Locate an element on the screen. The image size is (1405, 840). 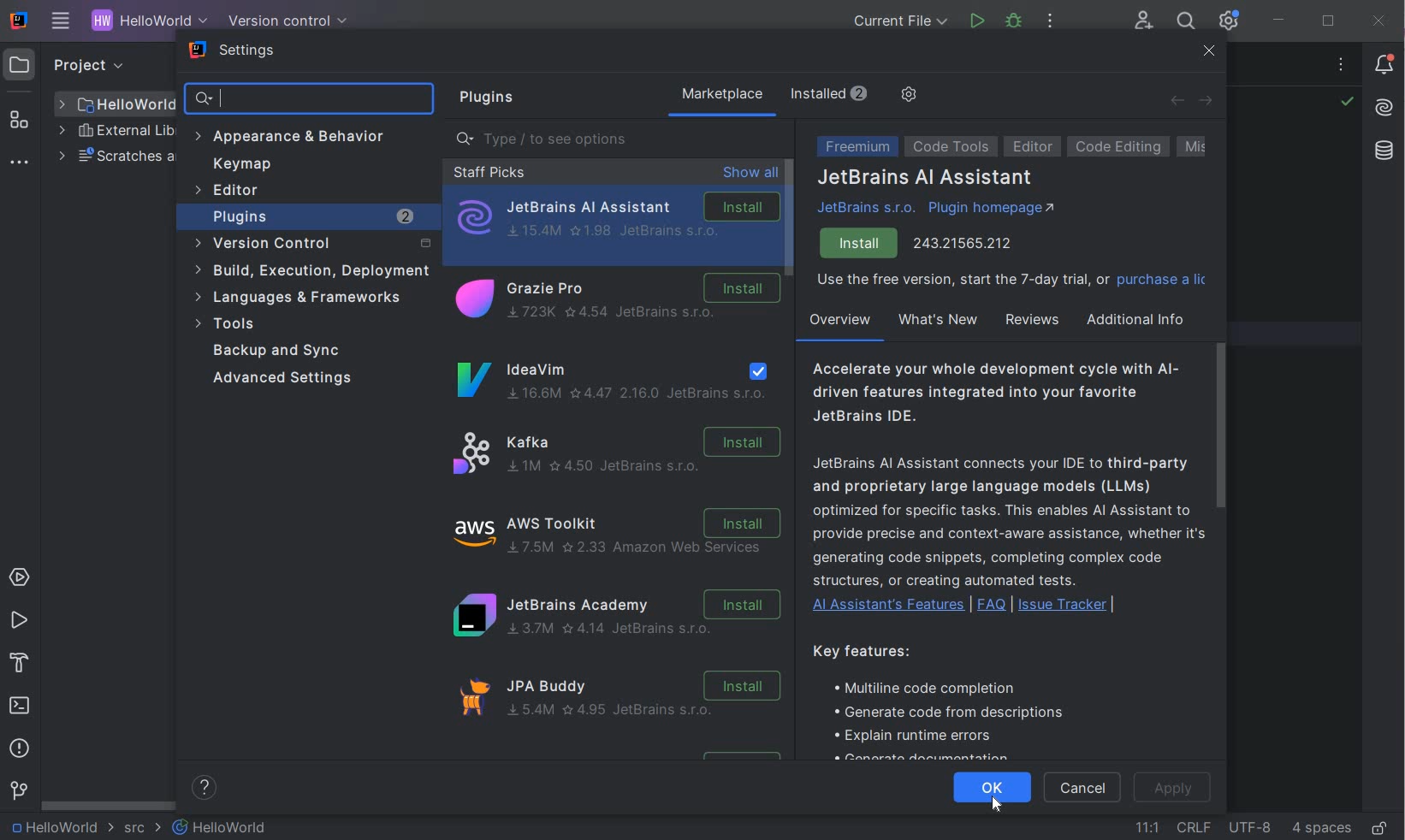
freemium is located at coordinates (854, 148).